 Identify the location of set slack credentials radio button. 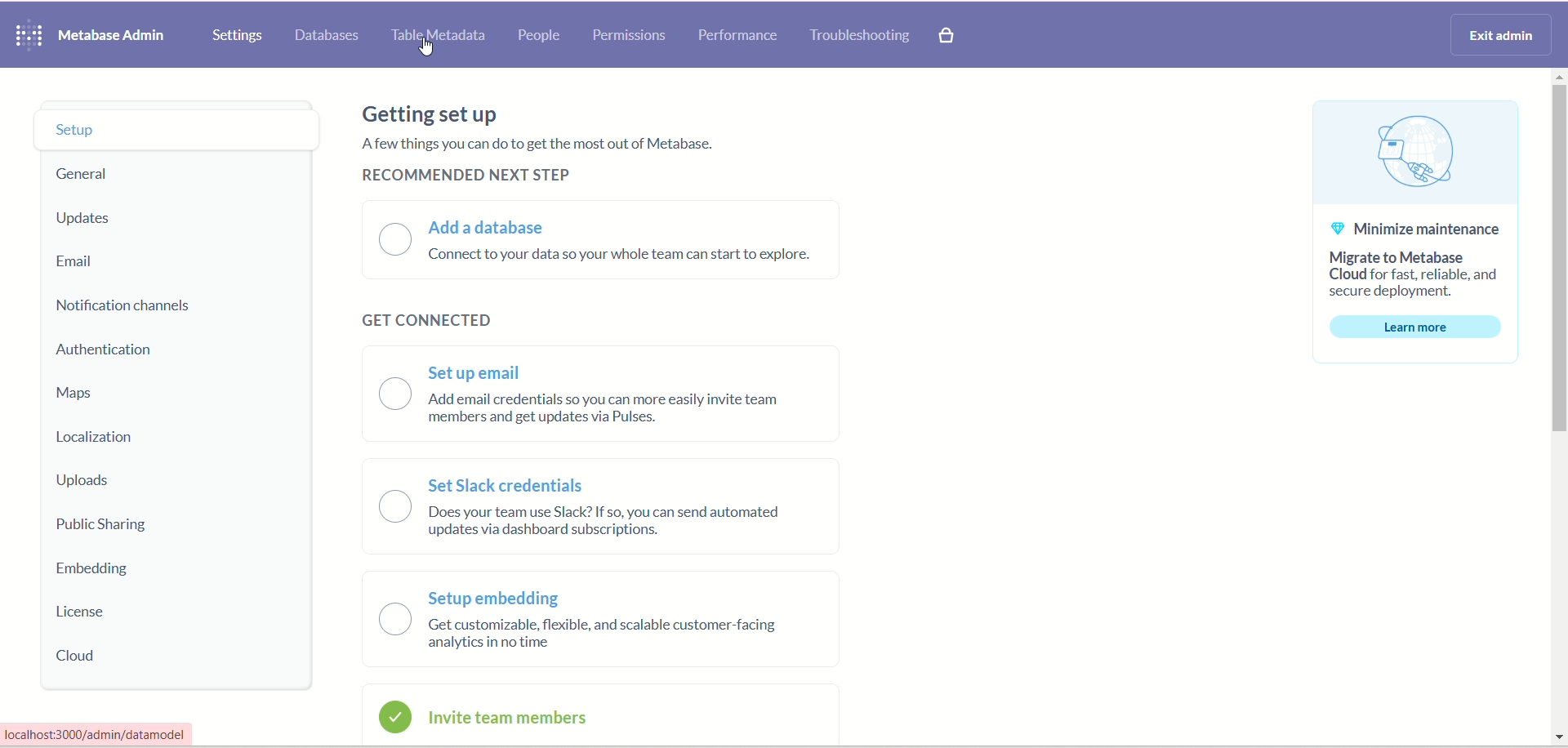
(390, 505).